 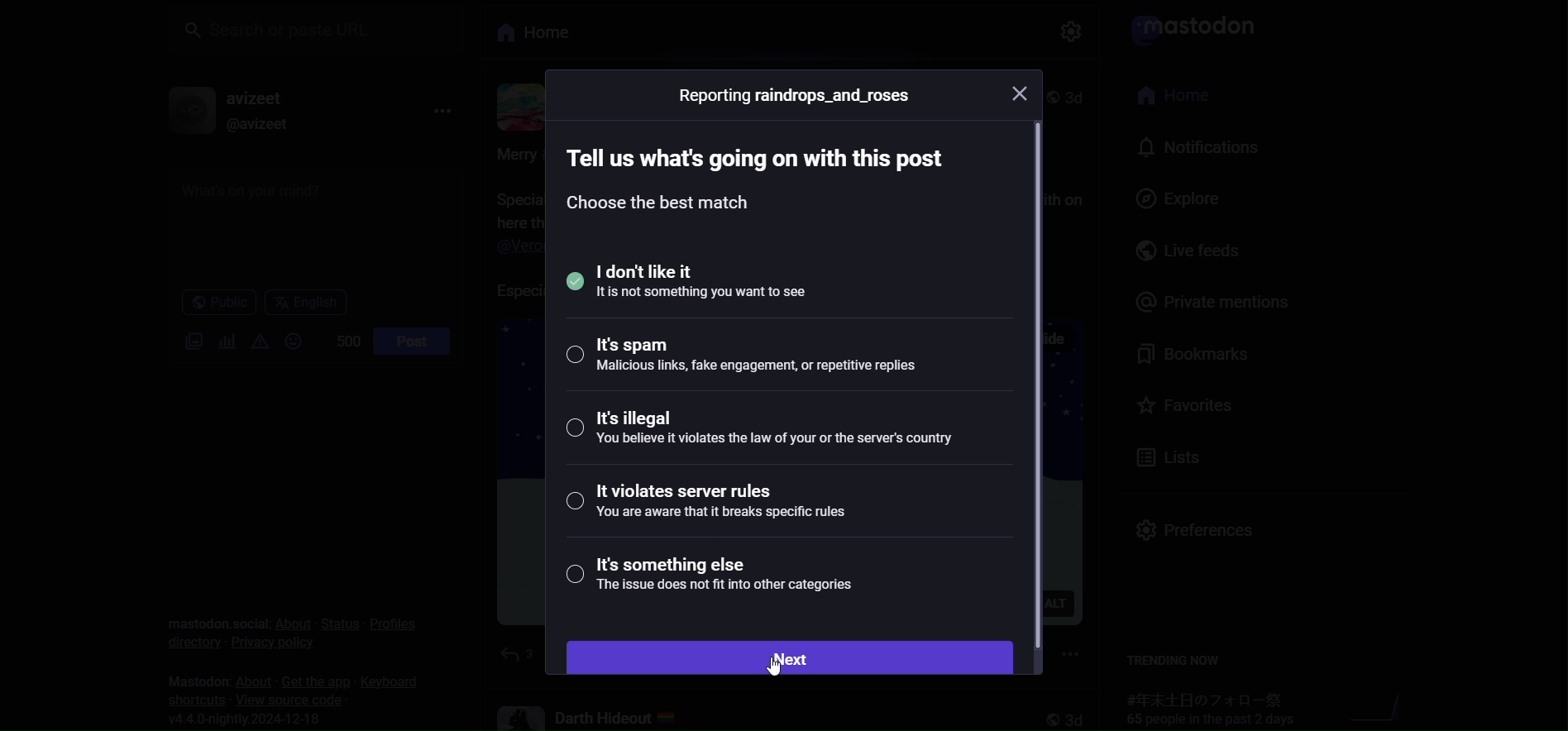 I want to click on spam, so click(x=763, y=358).